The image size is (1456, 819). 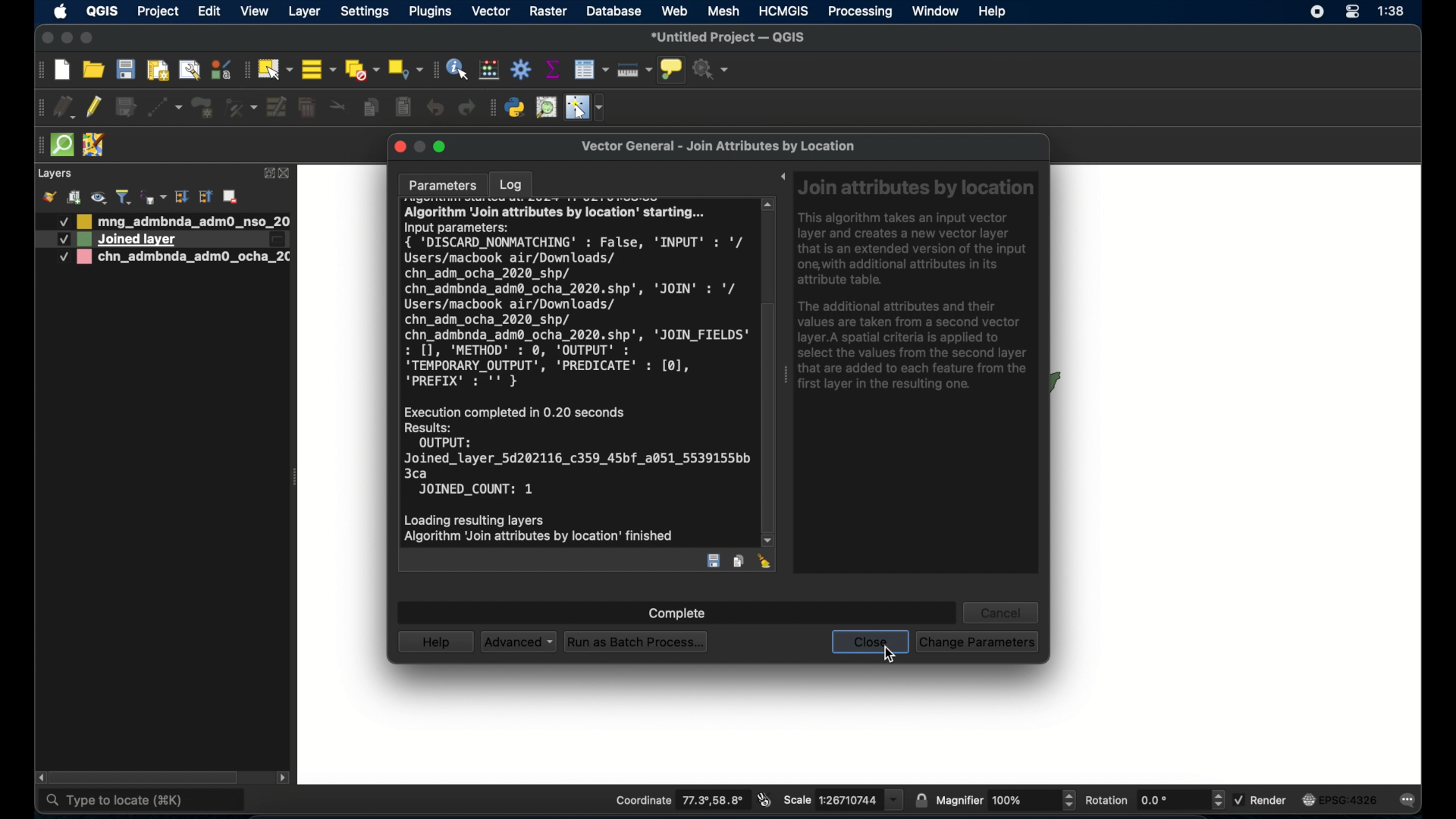 What do you see at coordinates (127, 107) in the screenshot?
I see `save edits` at bounding box center [127, 107].